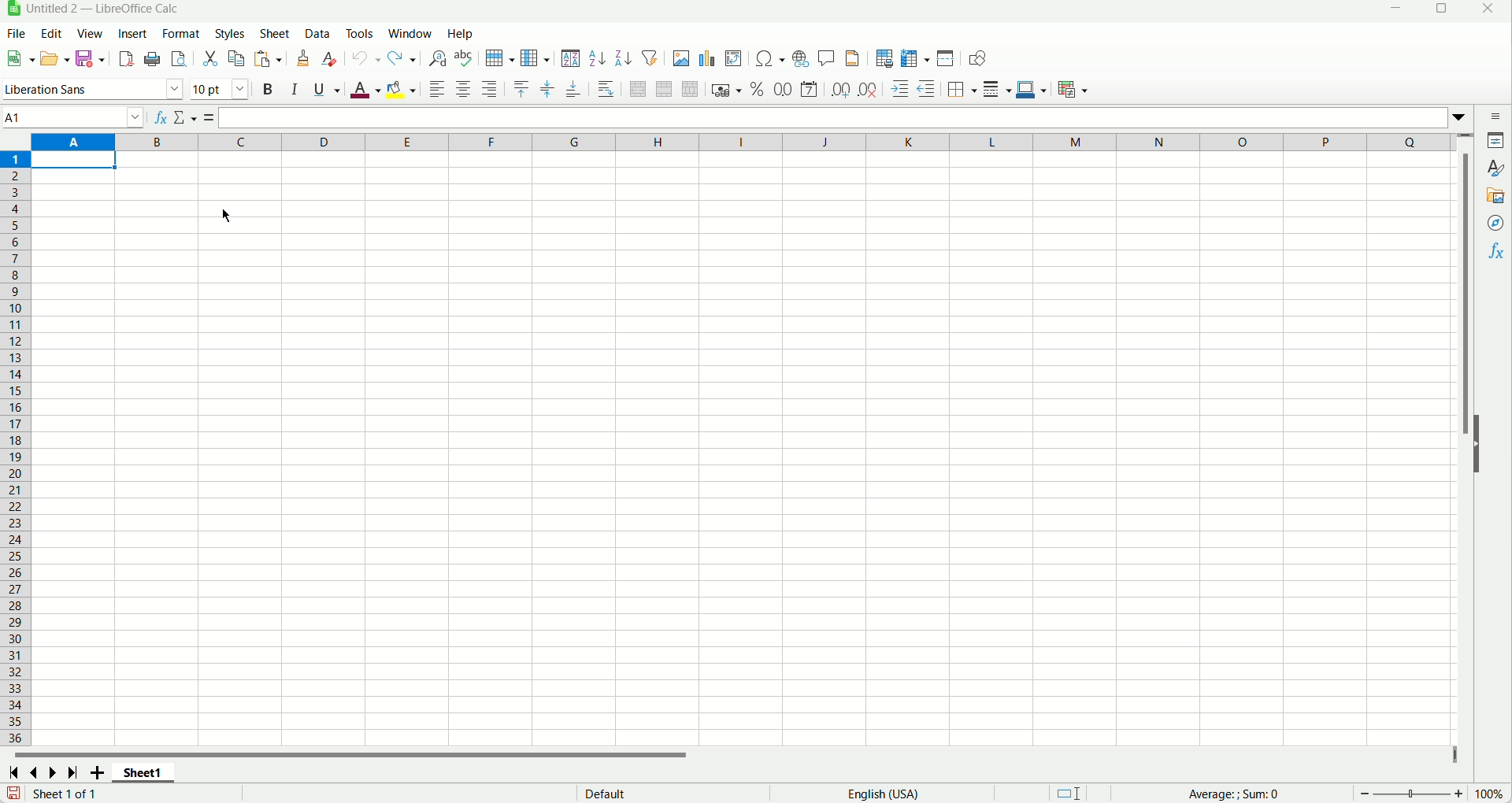 The height and width of the screenshot is (803, 1512). What do you see at coordinates (465, 90) in the screenshot?
I see `Align center` at bounding box center [465, 90].